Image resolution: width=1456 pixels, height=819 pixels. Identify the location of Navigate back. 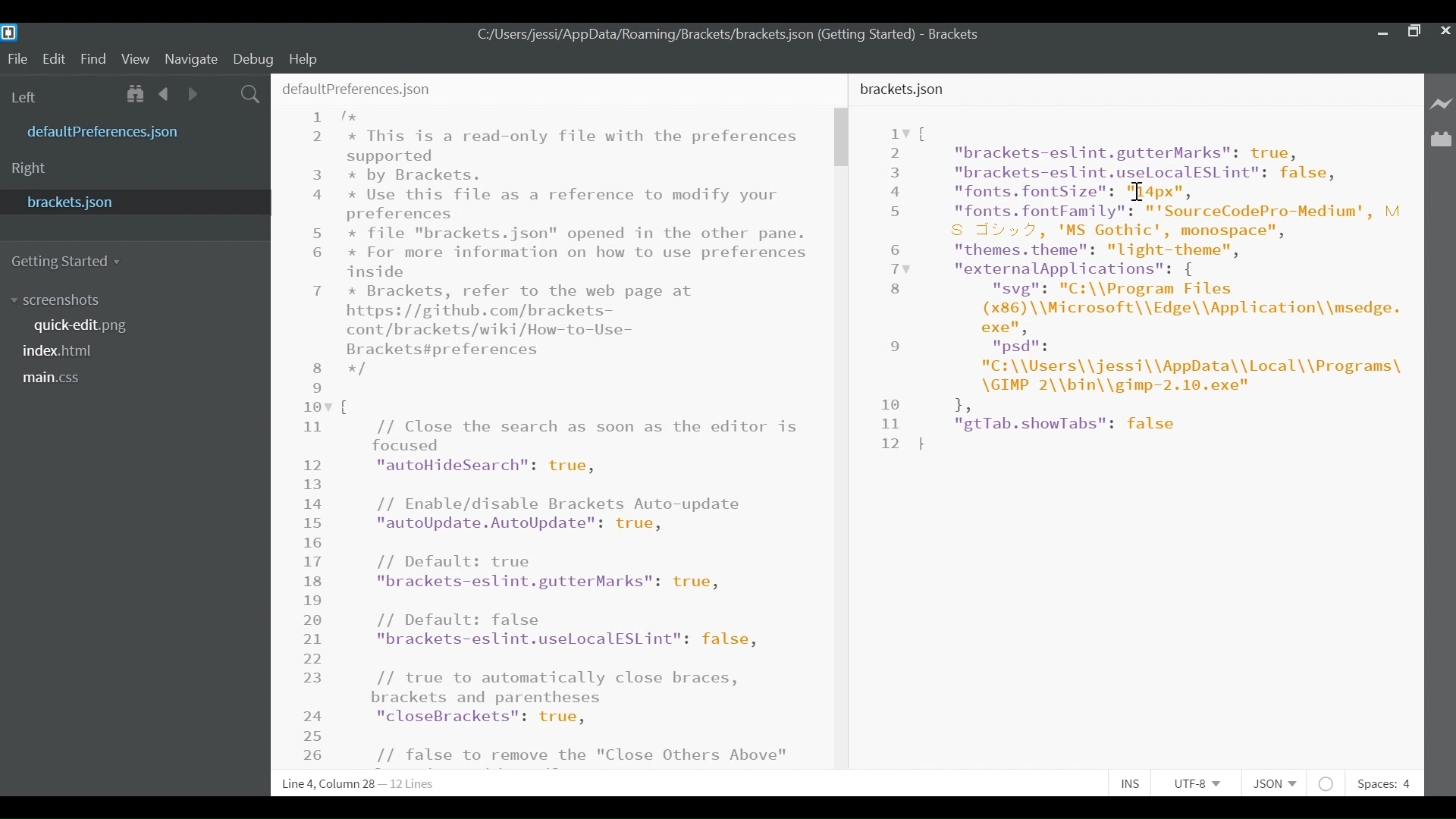
(165, 96).